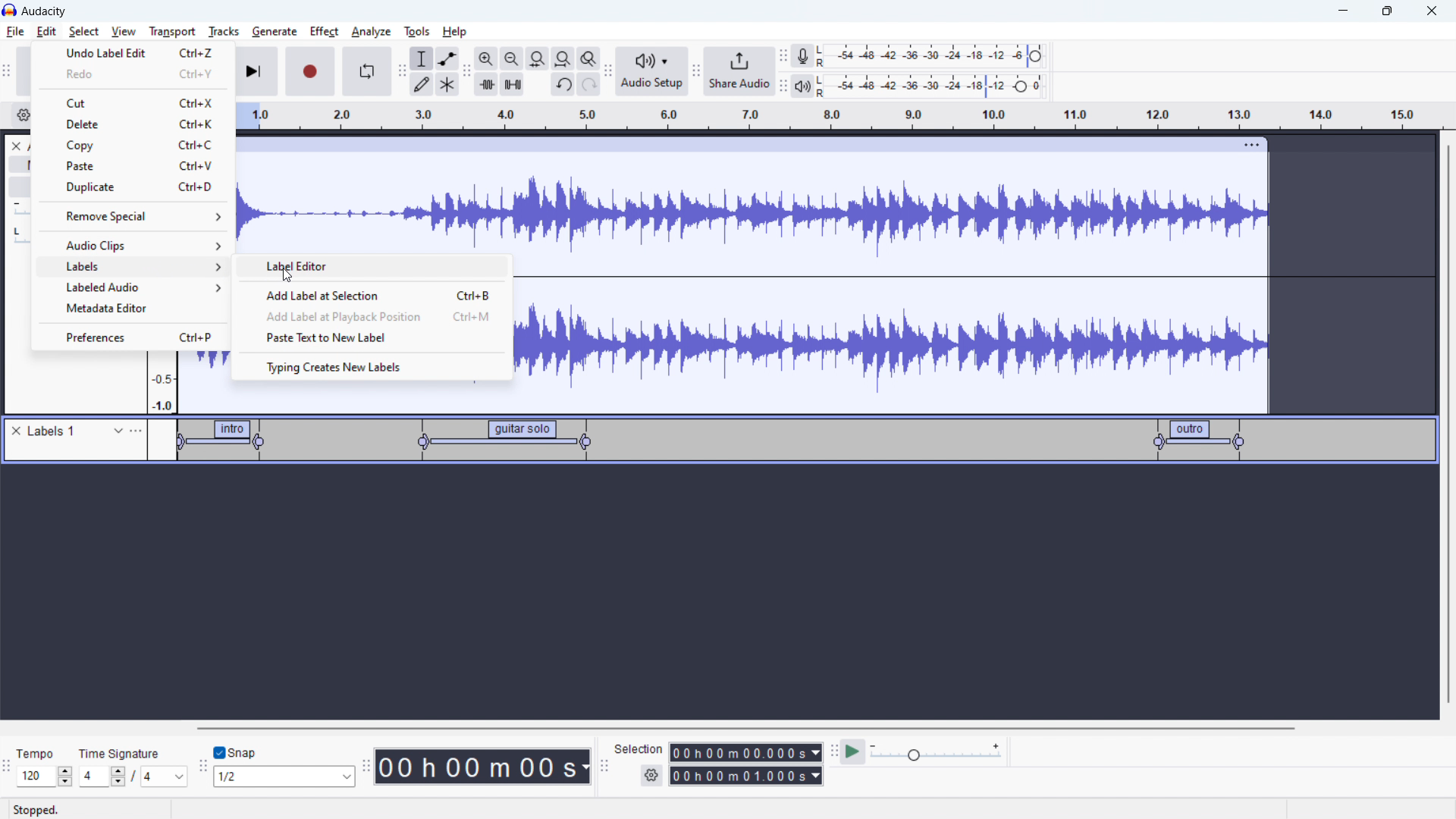 The image size is (1456, 819). Describe the element at coordinates (511, 58) in the screenshot. I see `zoom out` at that location.